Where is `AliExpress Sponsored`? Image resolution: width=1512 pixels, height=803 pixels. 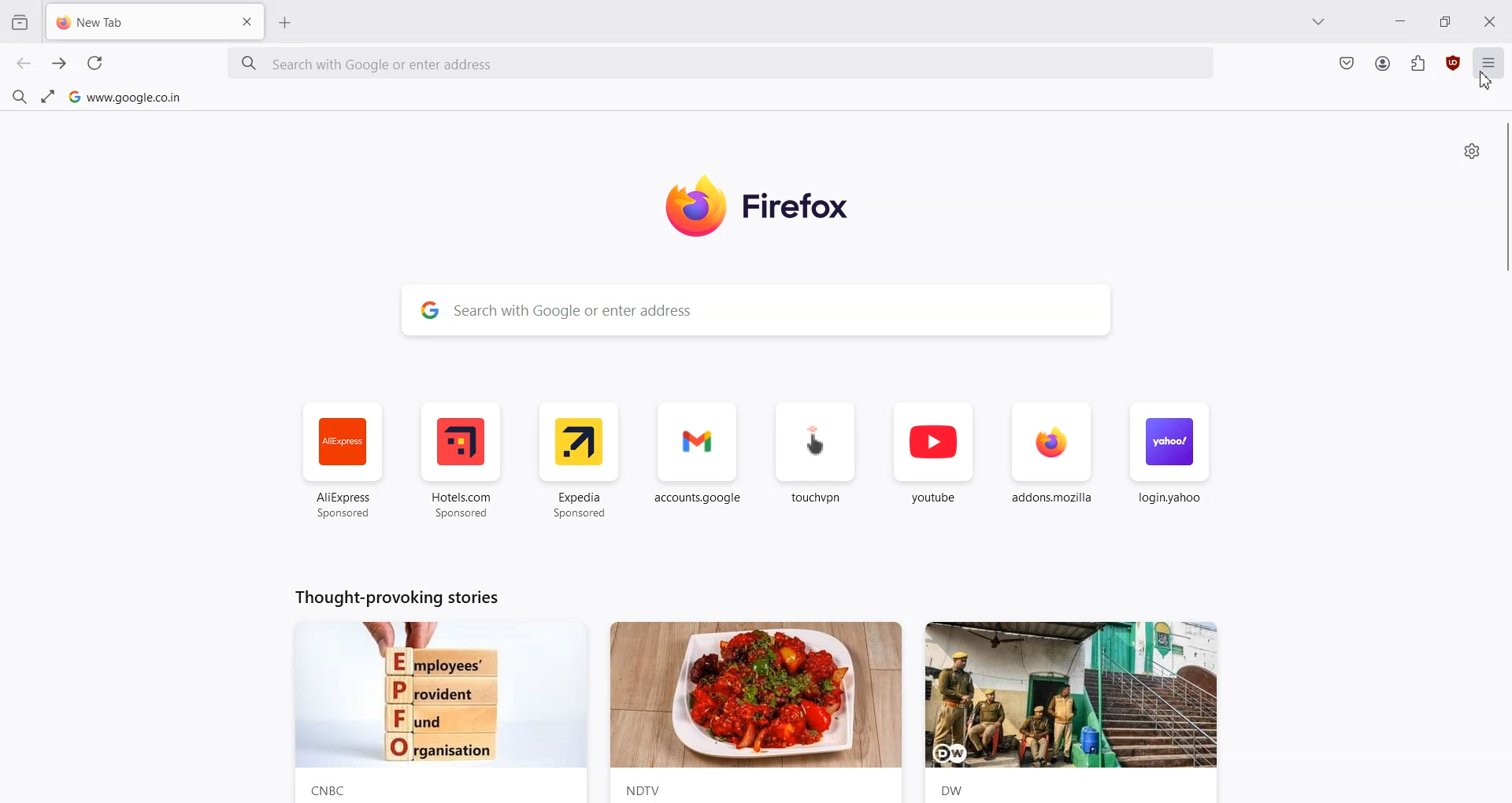
AliExpress Sponsored is located at coordinates (343, 461).